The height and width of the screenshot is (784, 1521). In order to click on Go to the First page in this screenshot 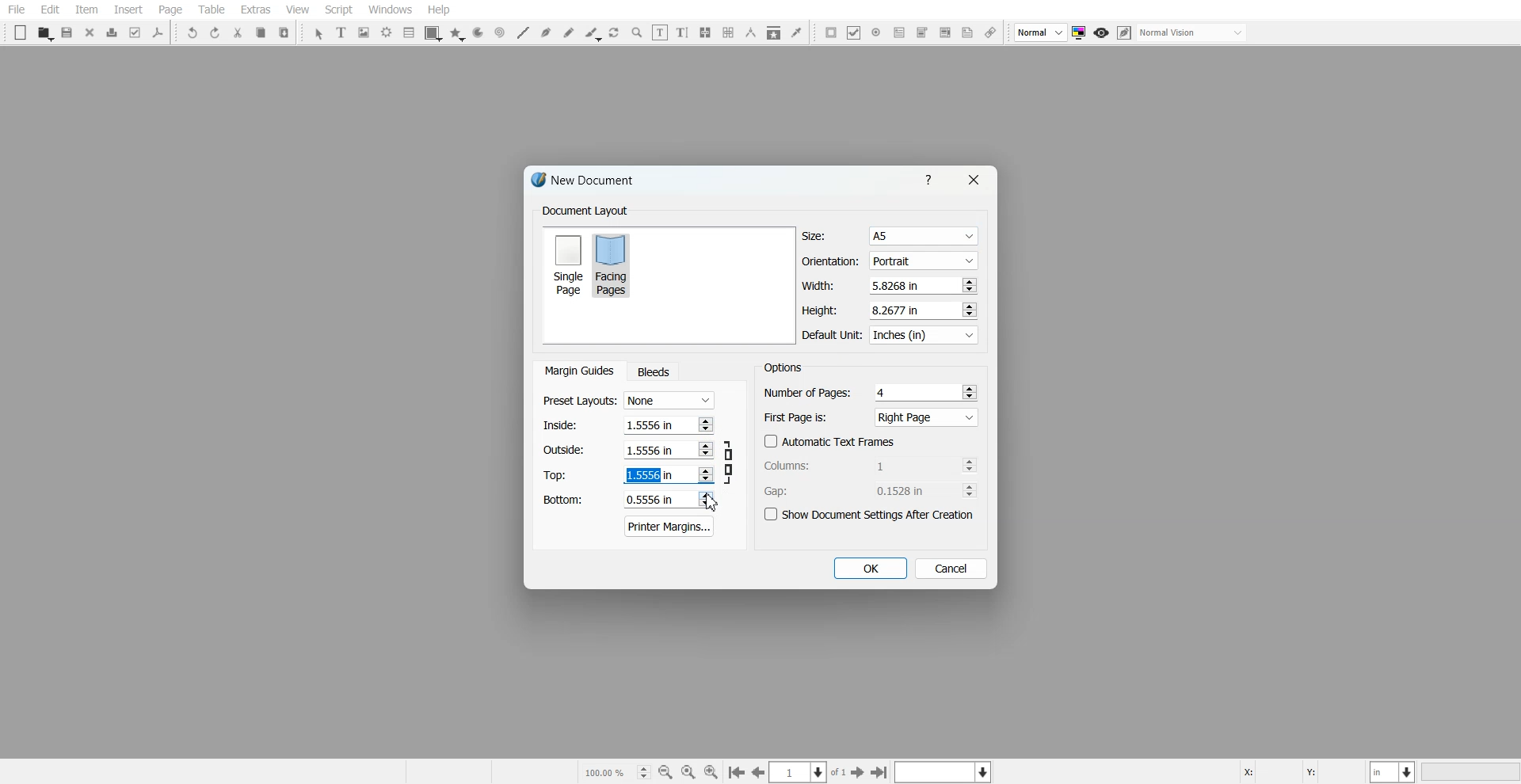, I will do `click(860, 772)`.